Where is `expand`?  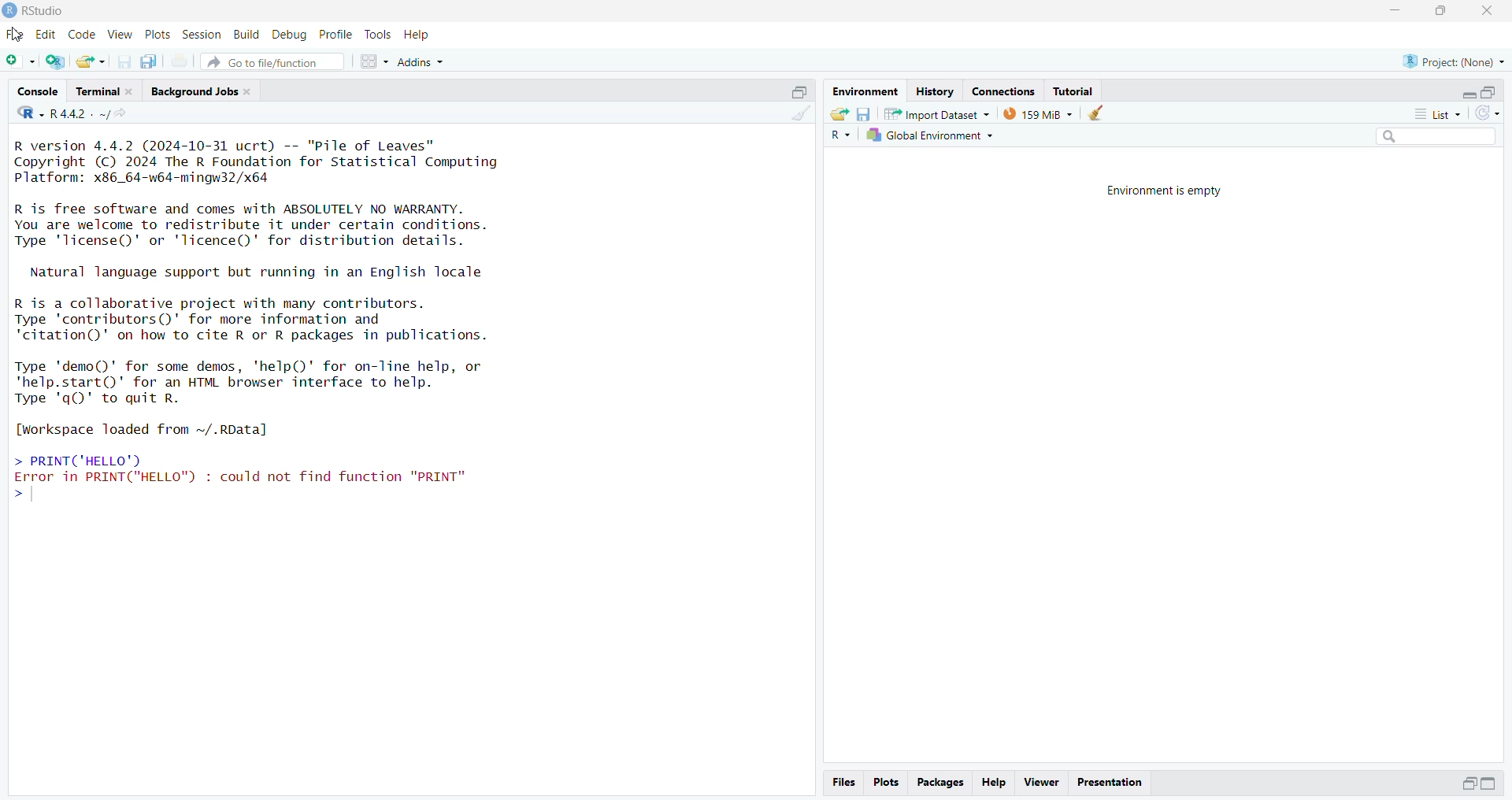 expand is located at coordinates (1469, 783).